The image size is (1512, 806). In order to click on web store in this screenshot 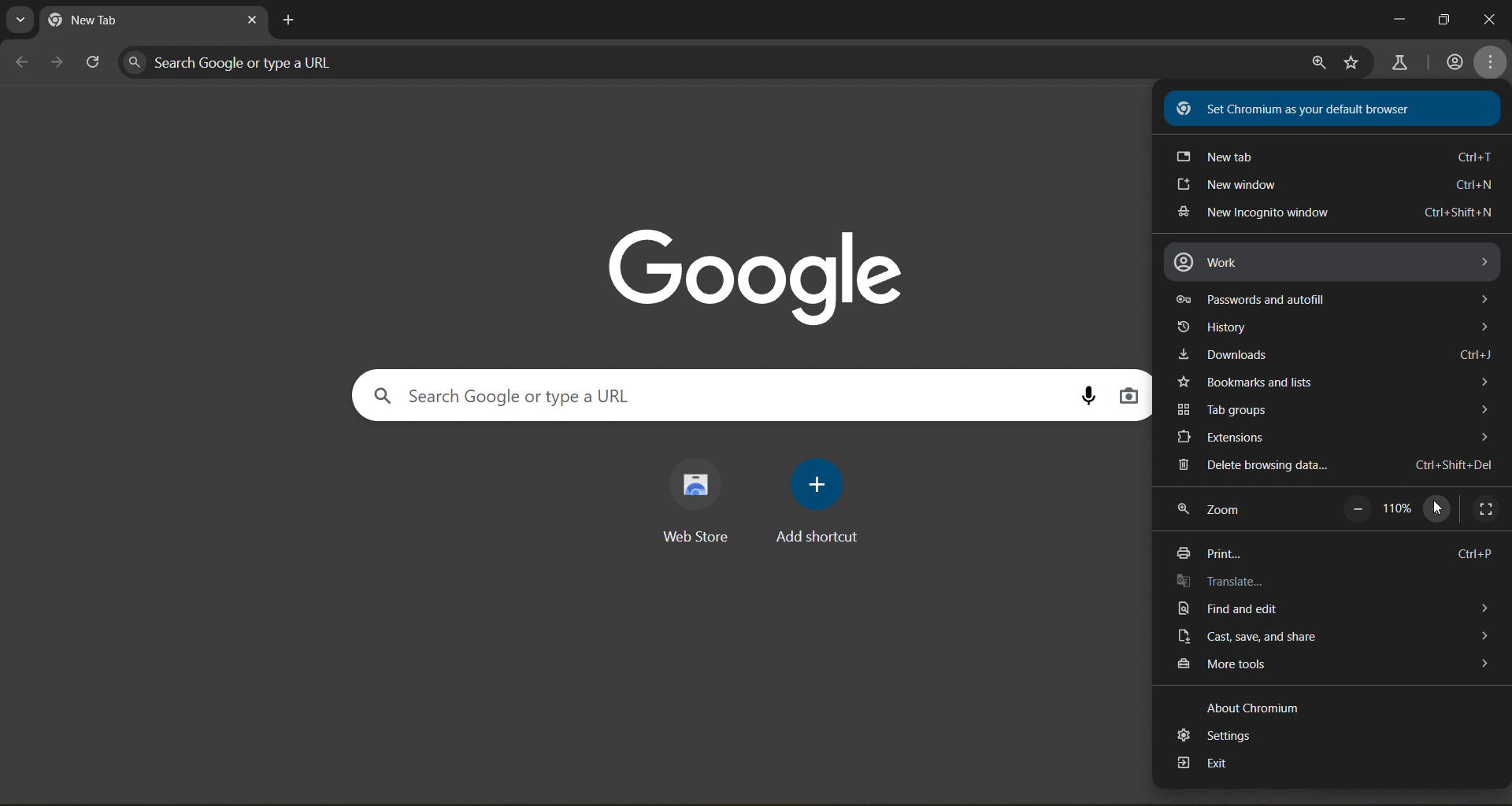, I will do `click(693, 500)`.